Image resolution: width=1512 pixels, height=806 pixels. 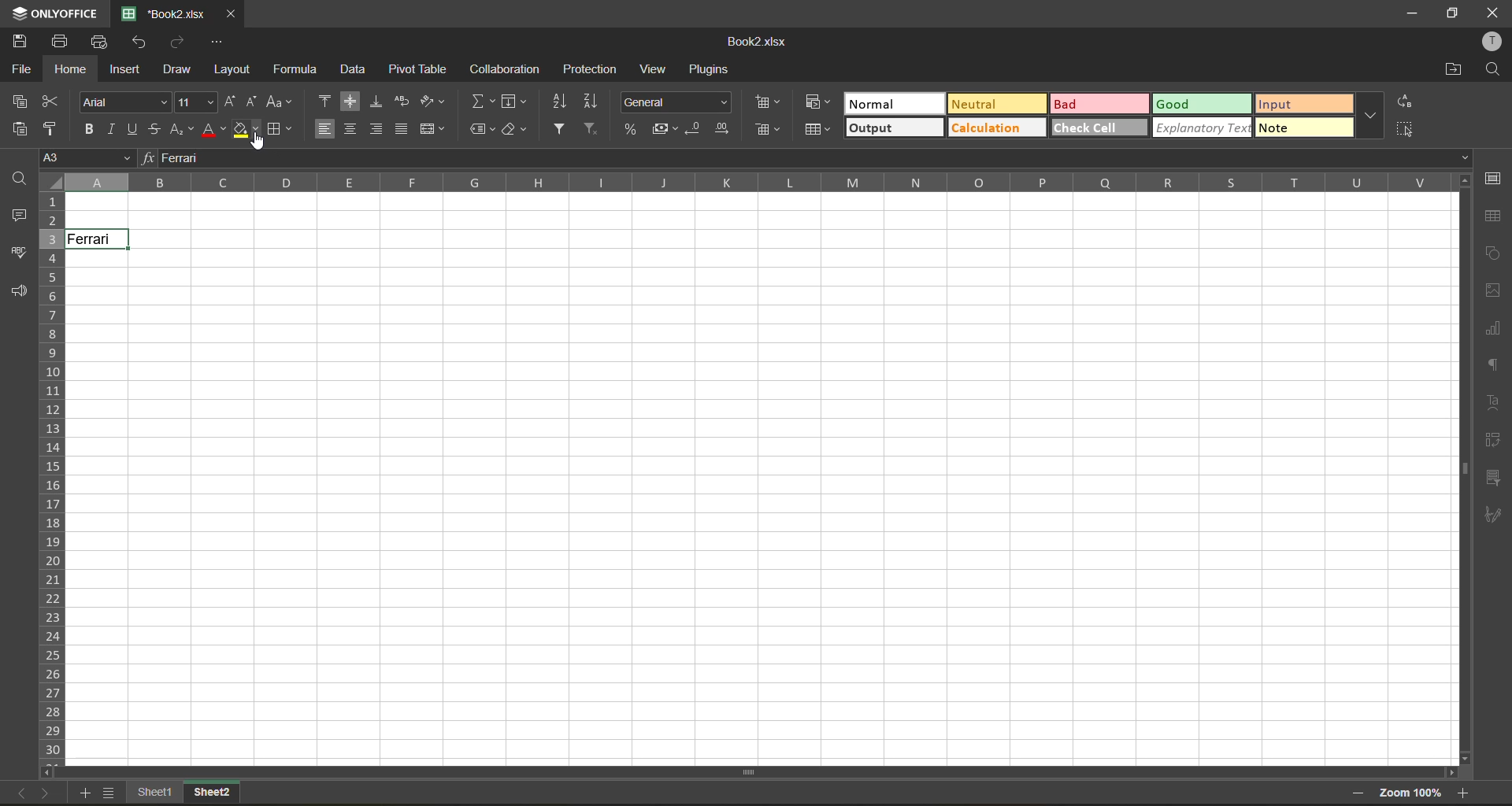 What do you see at coordinates (180, 42) in the screenshot?
I see `redo` at bounding box center [180, 42].